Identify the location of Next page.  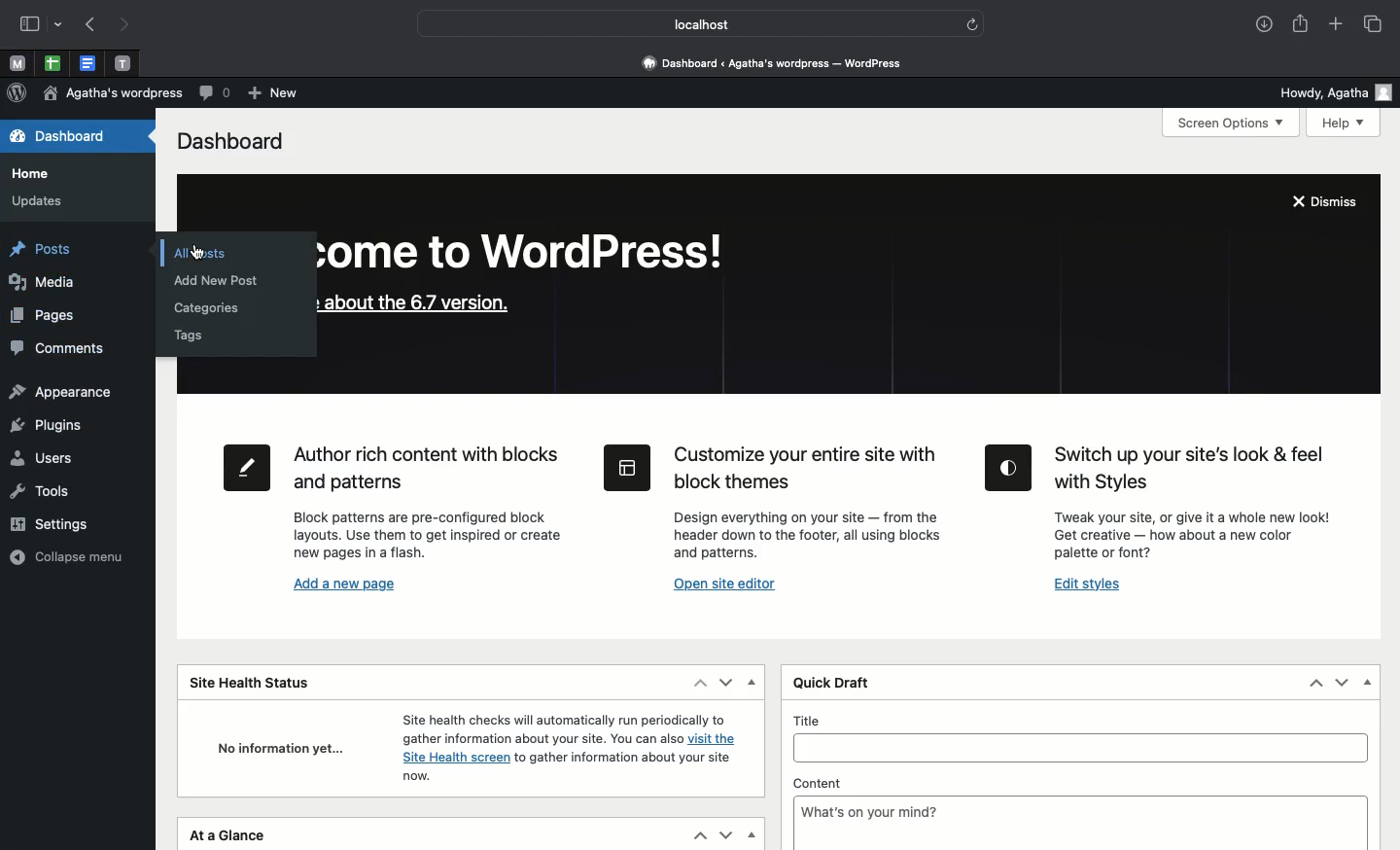
(130, 25).